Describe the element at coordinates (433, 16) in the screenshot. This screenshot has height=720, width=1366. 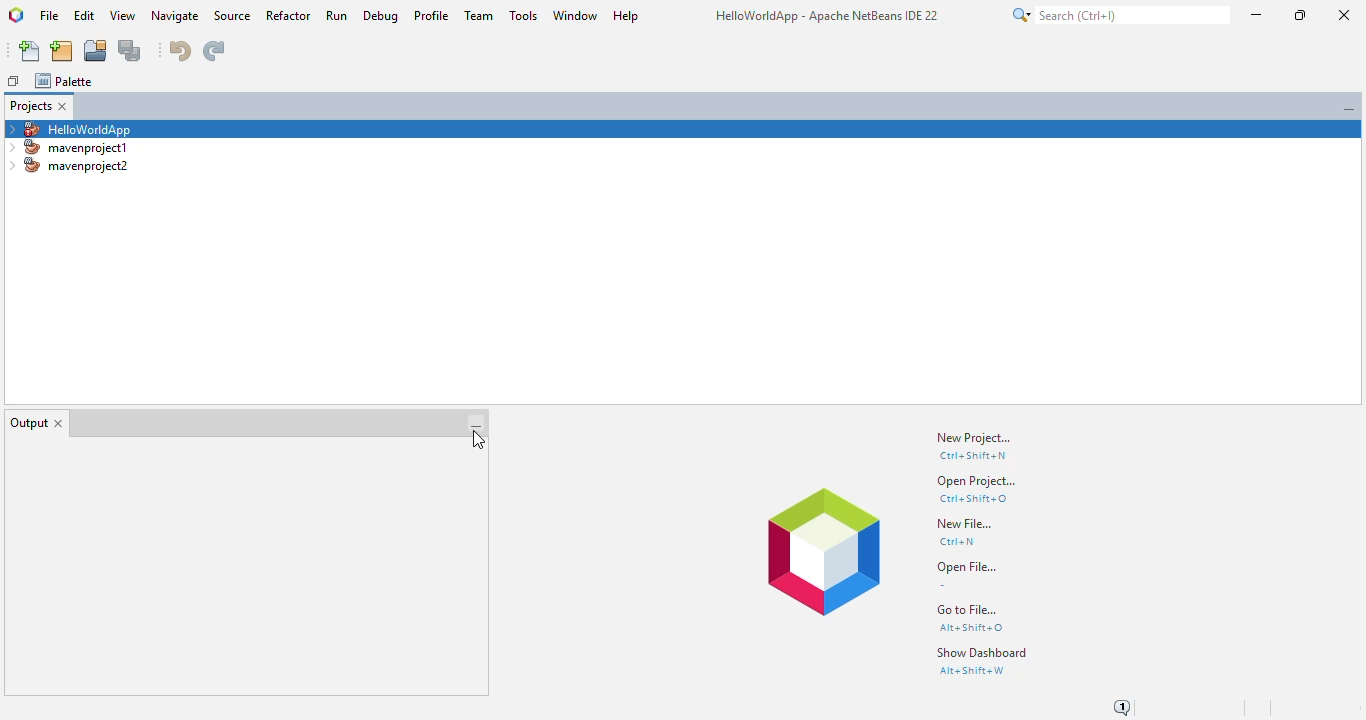
I see `profile` at that location.